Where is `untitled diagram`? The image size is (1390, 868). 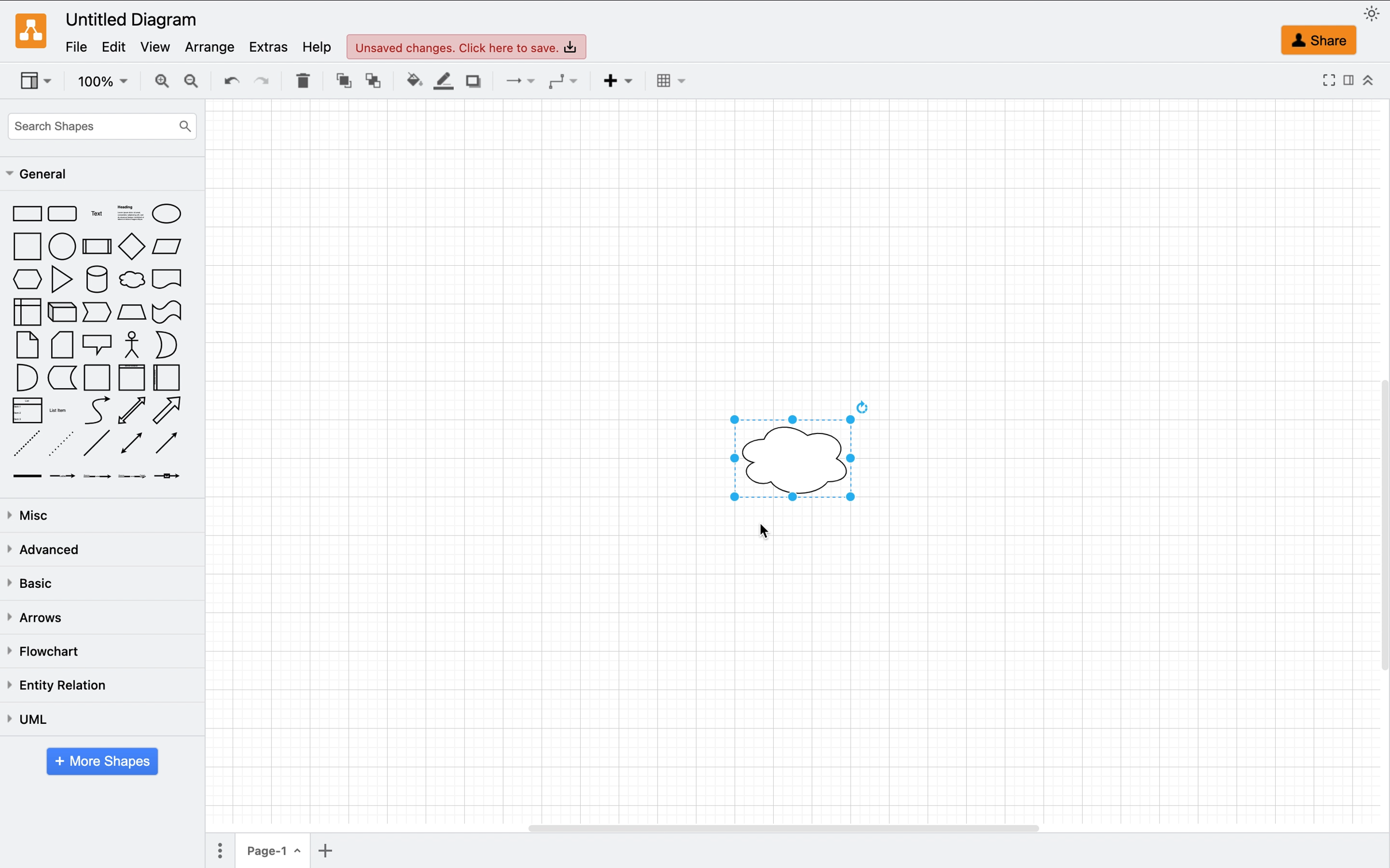
untitled diagram is located at coordinates (132, 17).